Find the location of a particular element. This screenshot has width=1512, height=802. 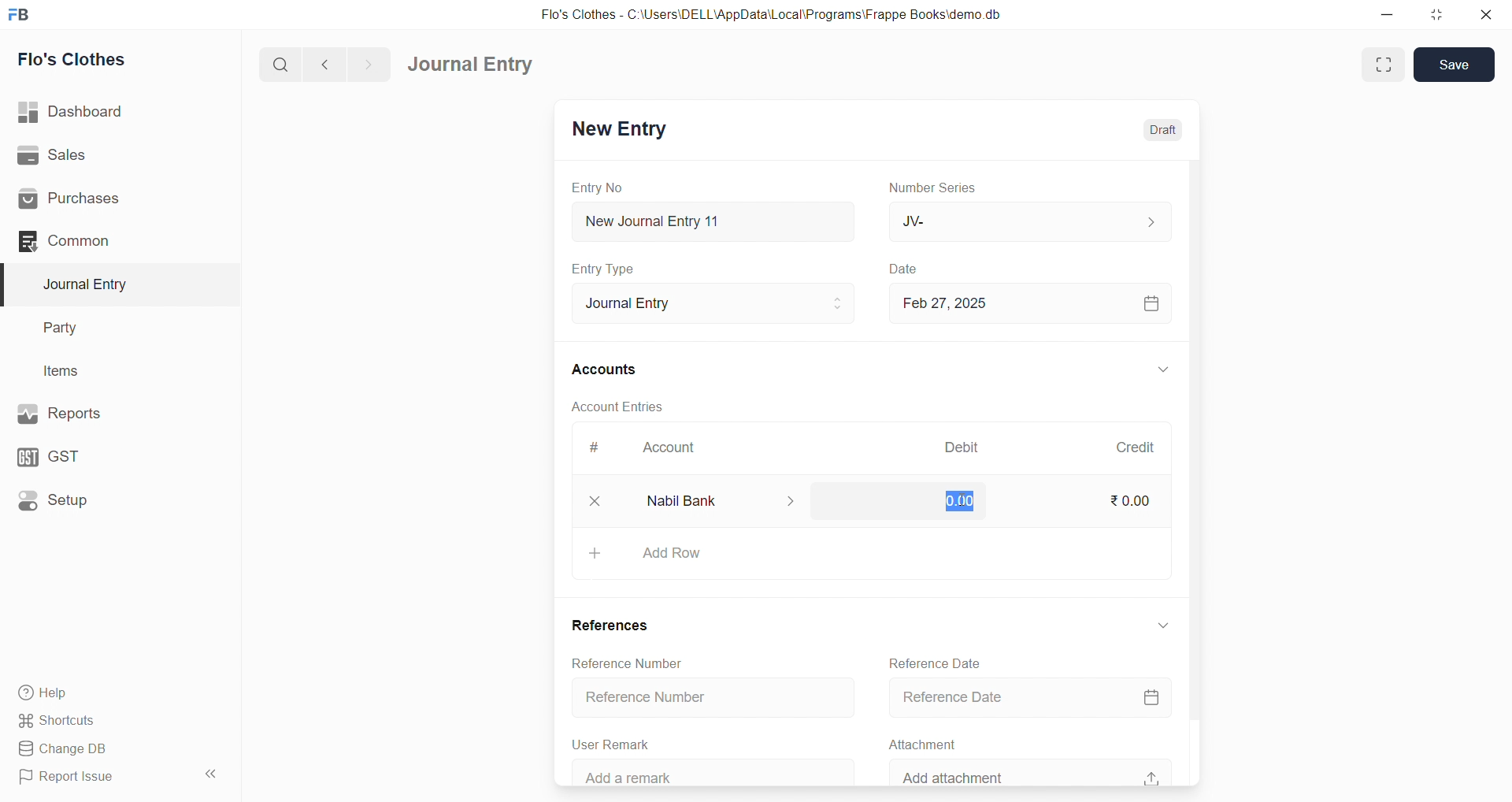

Number Series is located at coordinates (939, 188).